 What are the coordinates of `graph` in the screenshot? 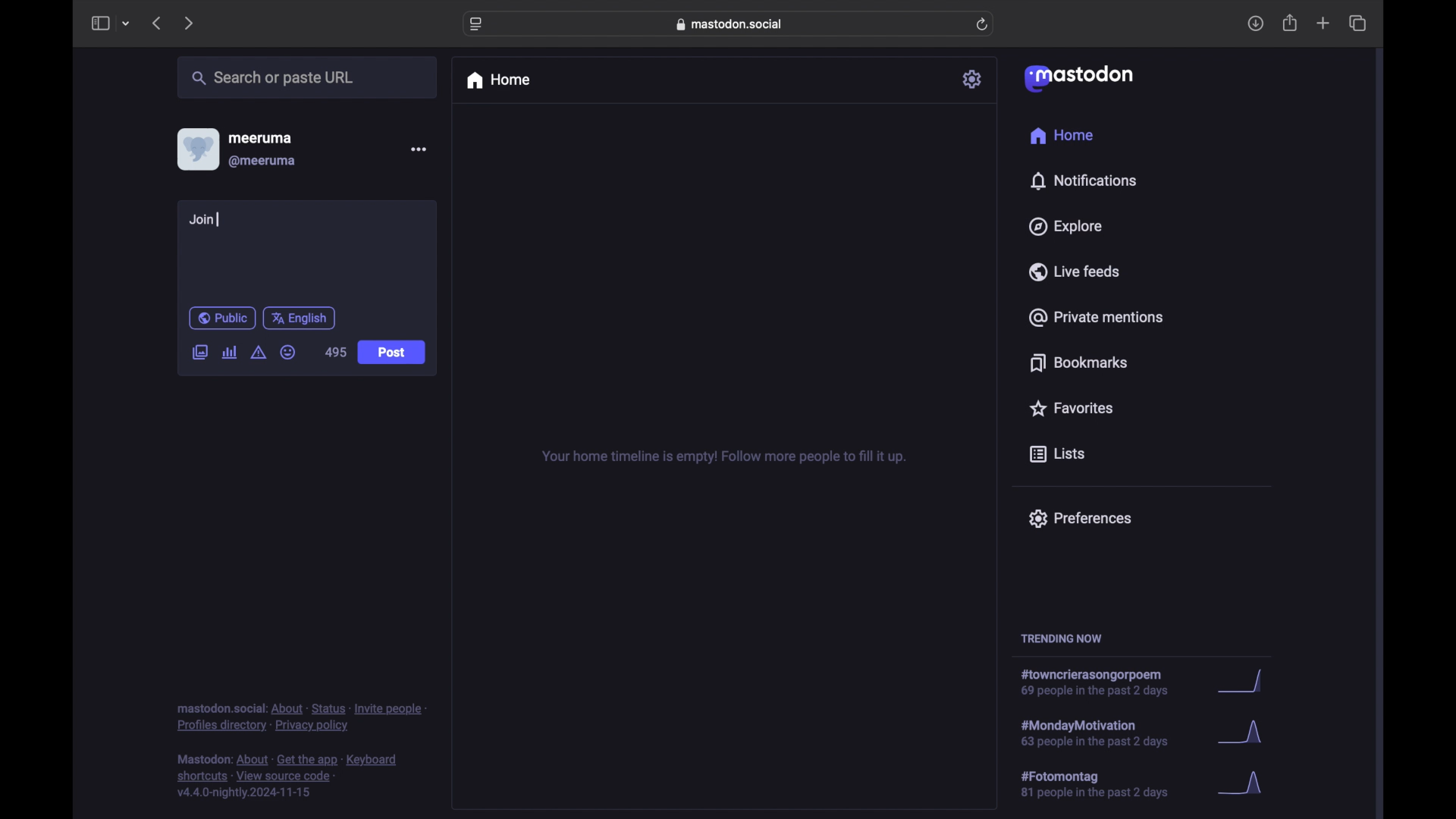 It's located at (1240, 682).